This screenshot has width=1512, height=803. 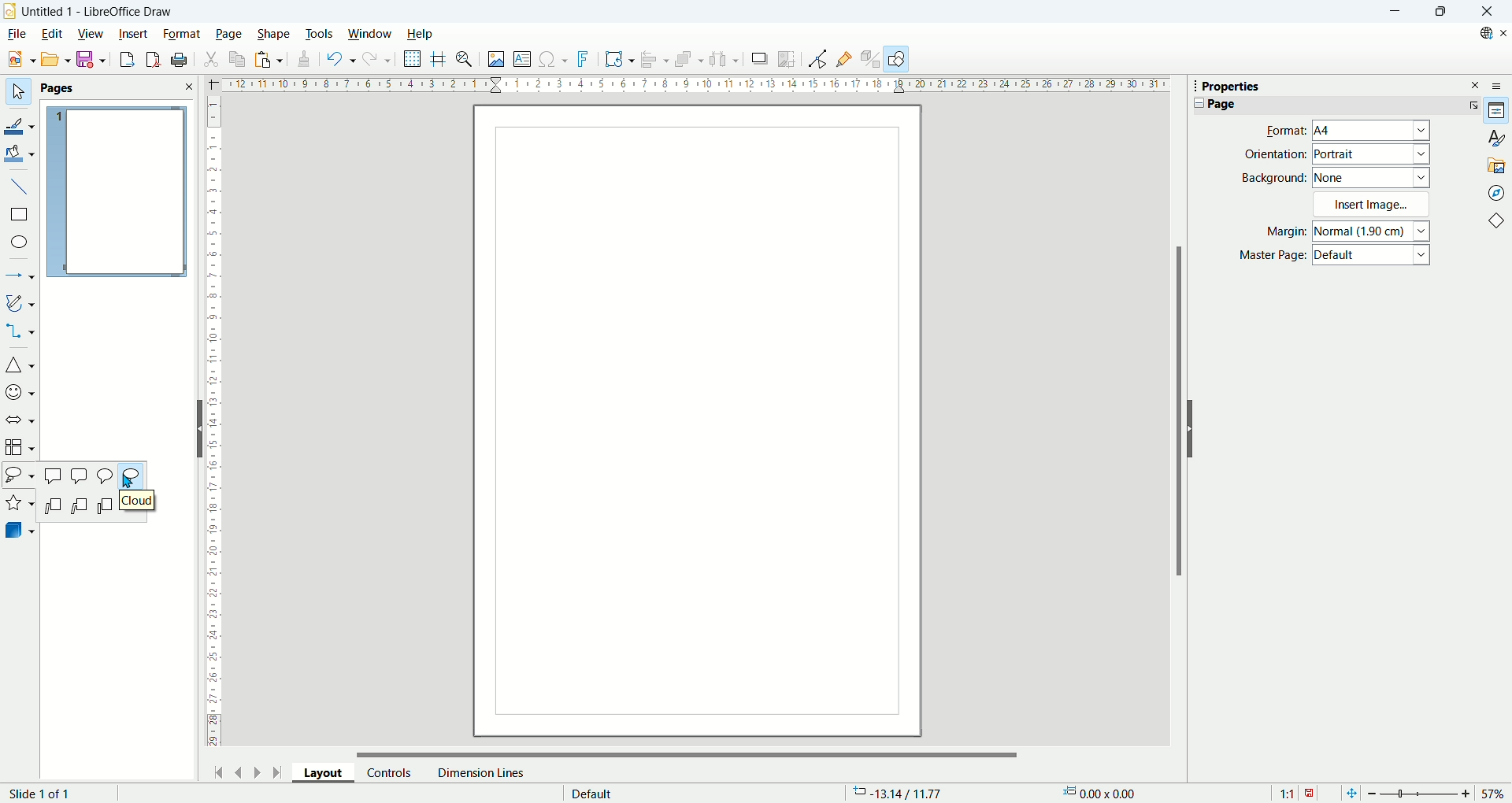 I want to click on slide number, so click(x=43, y=794).